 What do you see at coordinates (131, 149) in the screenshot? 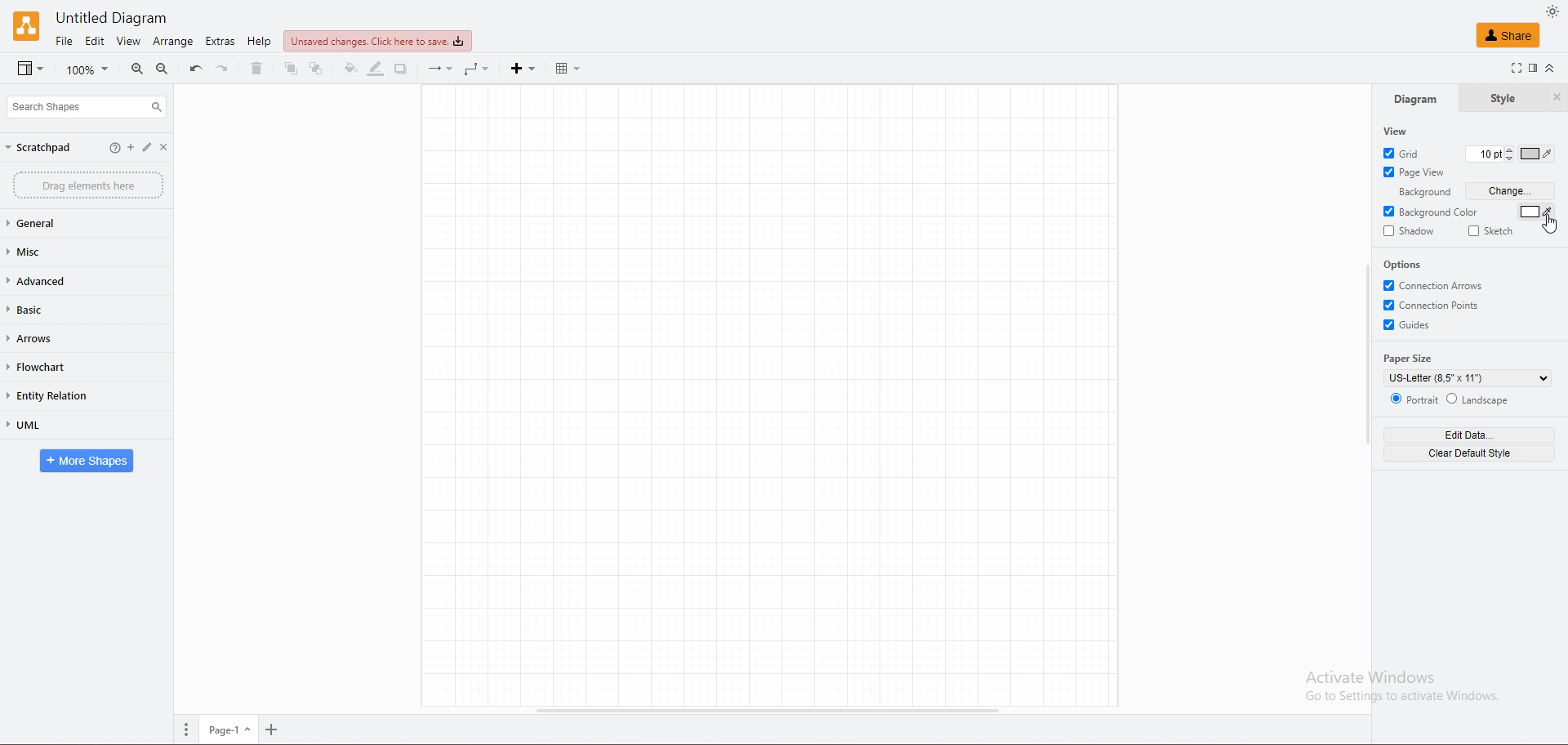
I see `edit` at bounding box center [131, 149].